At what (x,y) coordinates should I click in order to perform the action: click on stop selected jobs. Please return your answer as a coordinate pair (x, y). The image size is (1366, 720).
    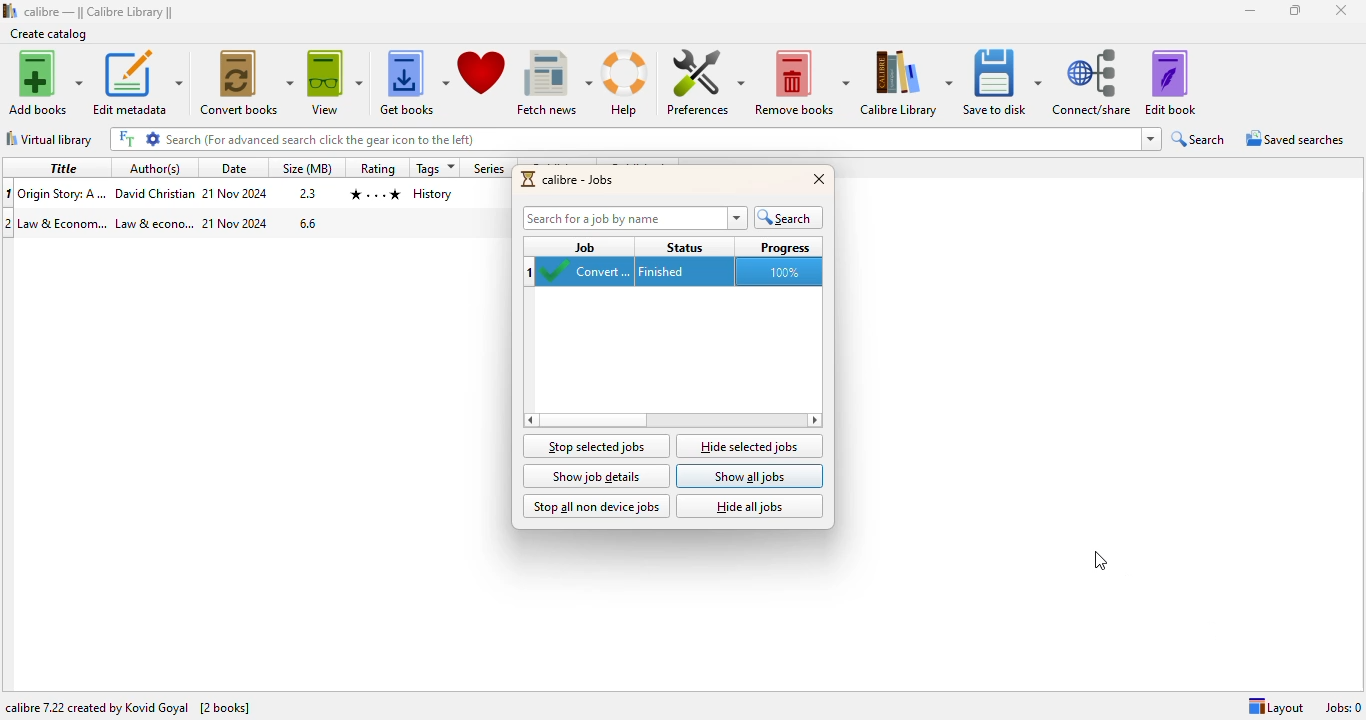
    Looking at the image, I should click on (596, 445).